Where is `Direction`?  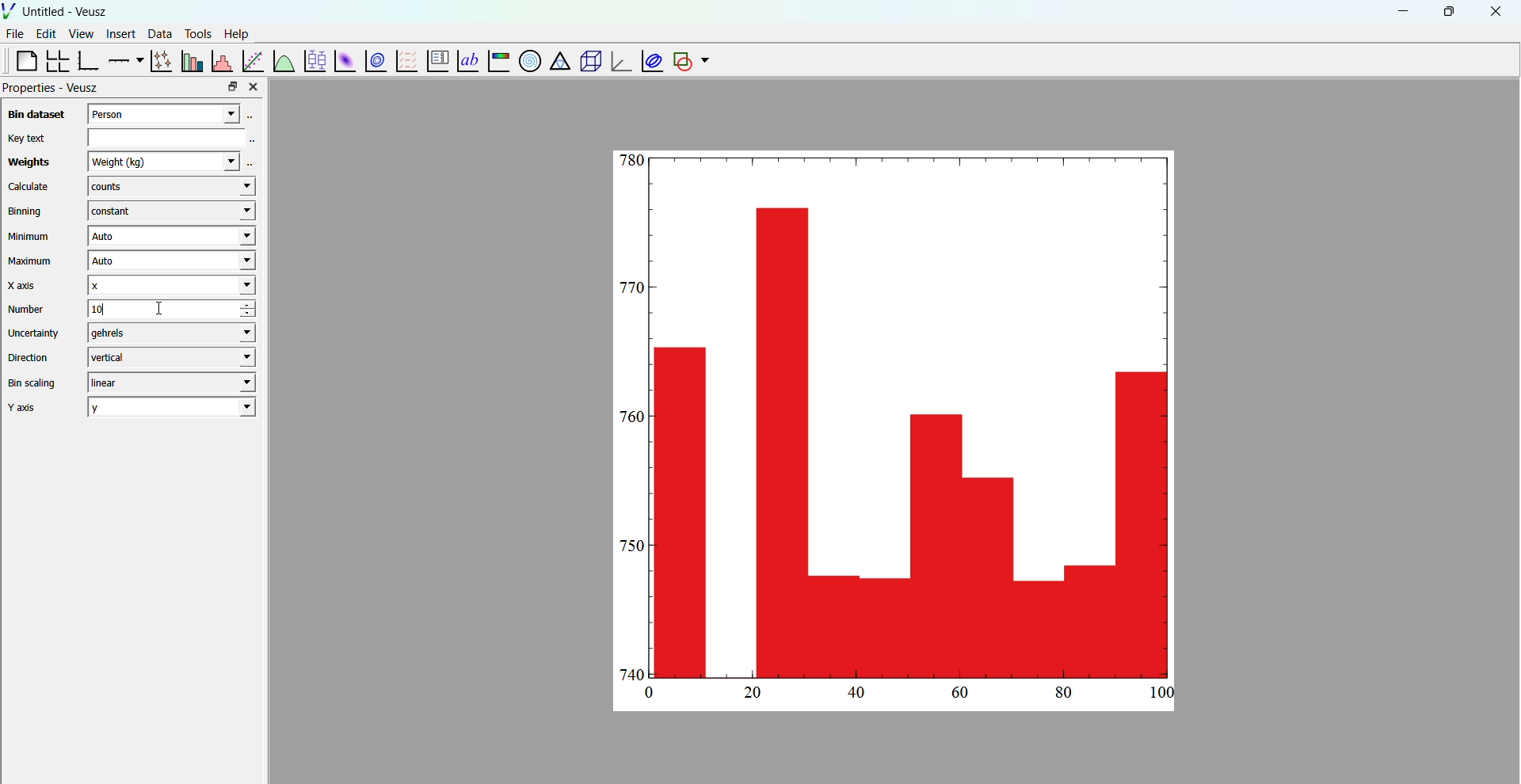
Direction is located at coordinates (31, 356).